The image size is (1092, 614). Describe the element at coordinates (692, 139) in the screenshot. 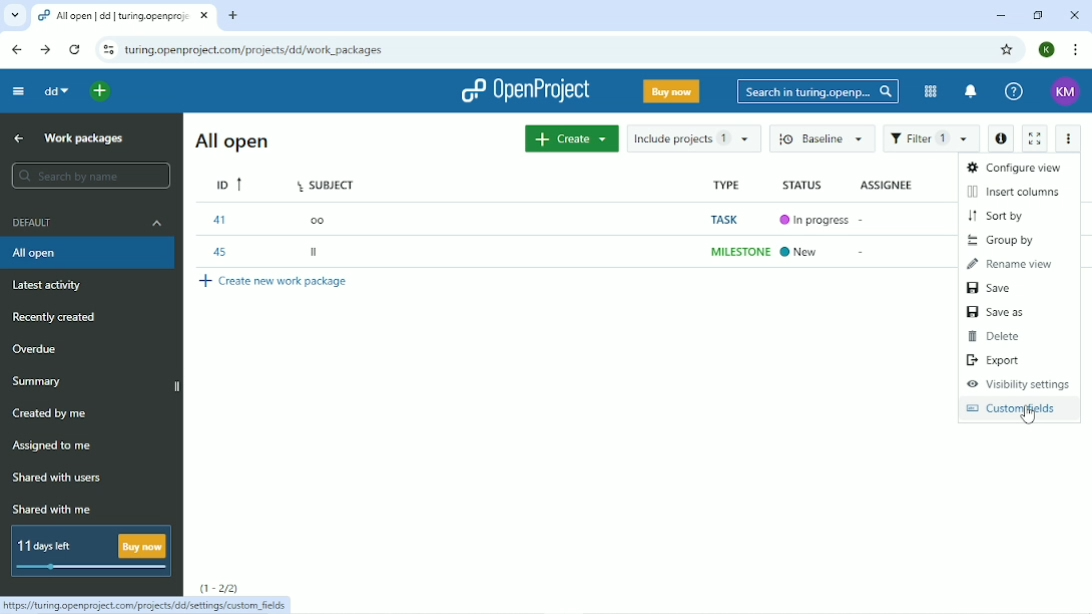

I see `Include projects` at that location.